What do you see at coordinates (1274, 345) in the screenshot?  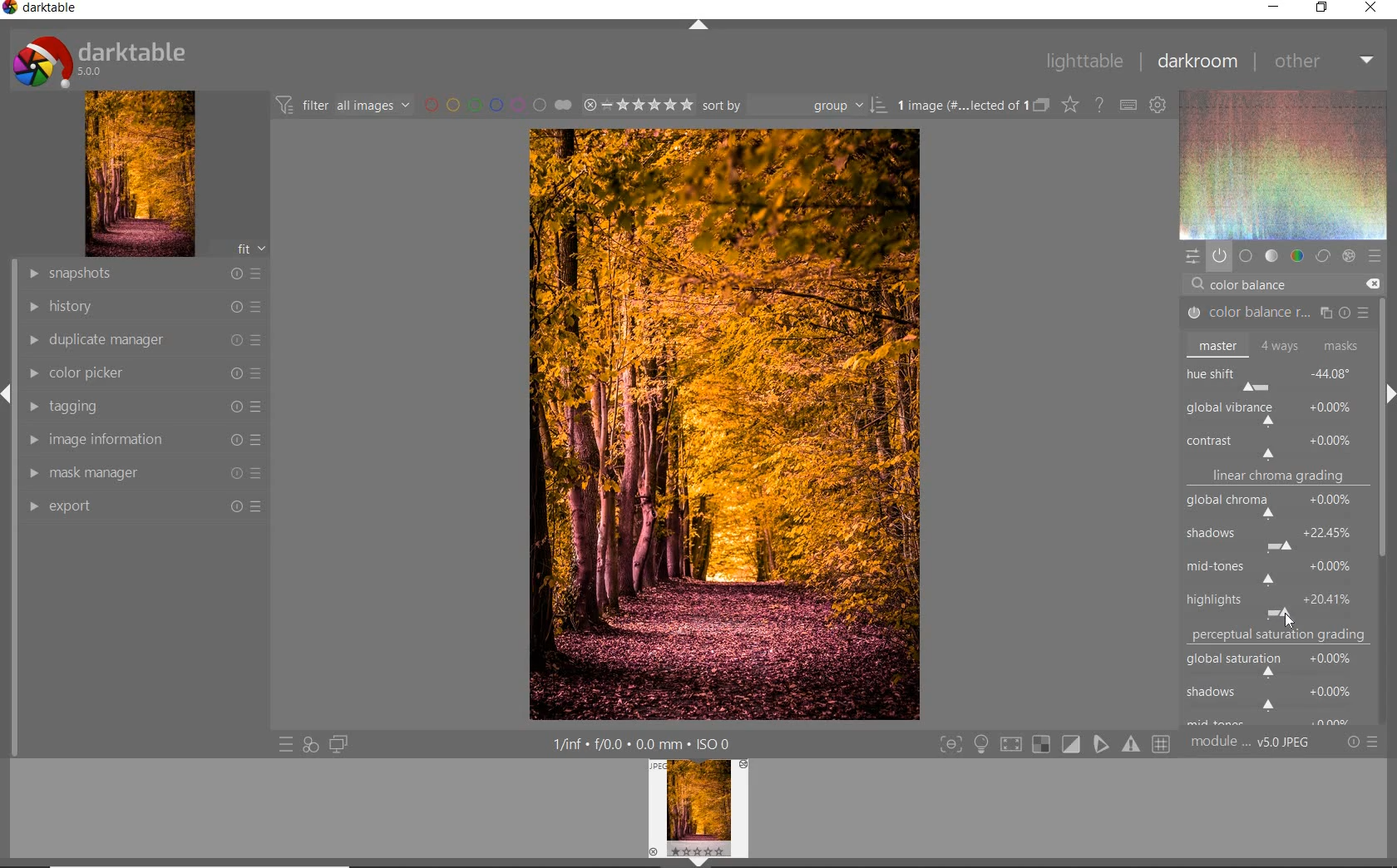 I see `master` at bounding box center [1274, 345].